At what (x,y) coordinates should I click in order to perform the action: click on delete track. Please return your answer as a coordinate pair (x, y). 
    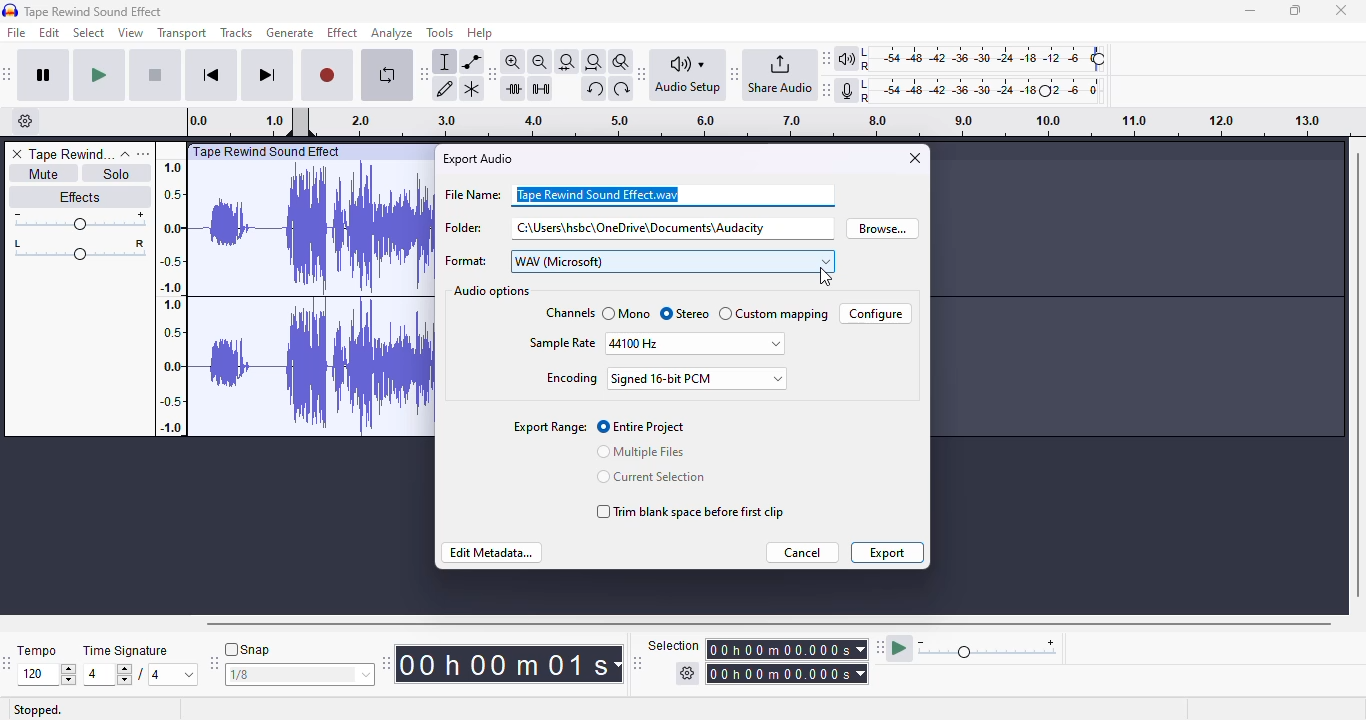
    Looking at the image, I should click on (15, 154).